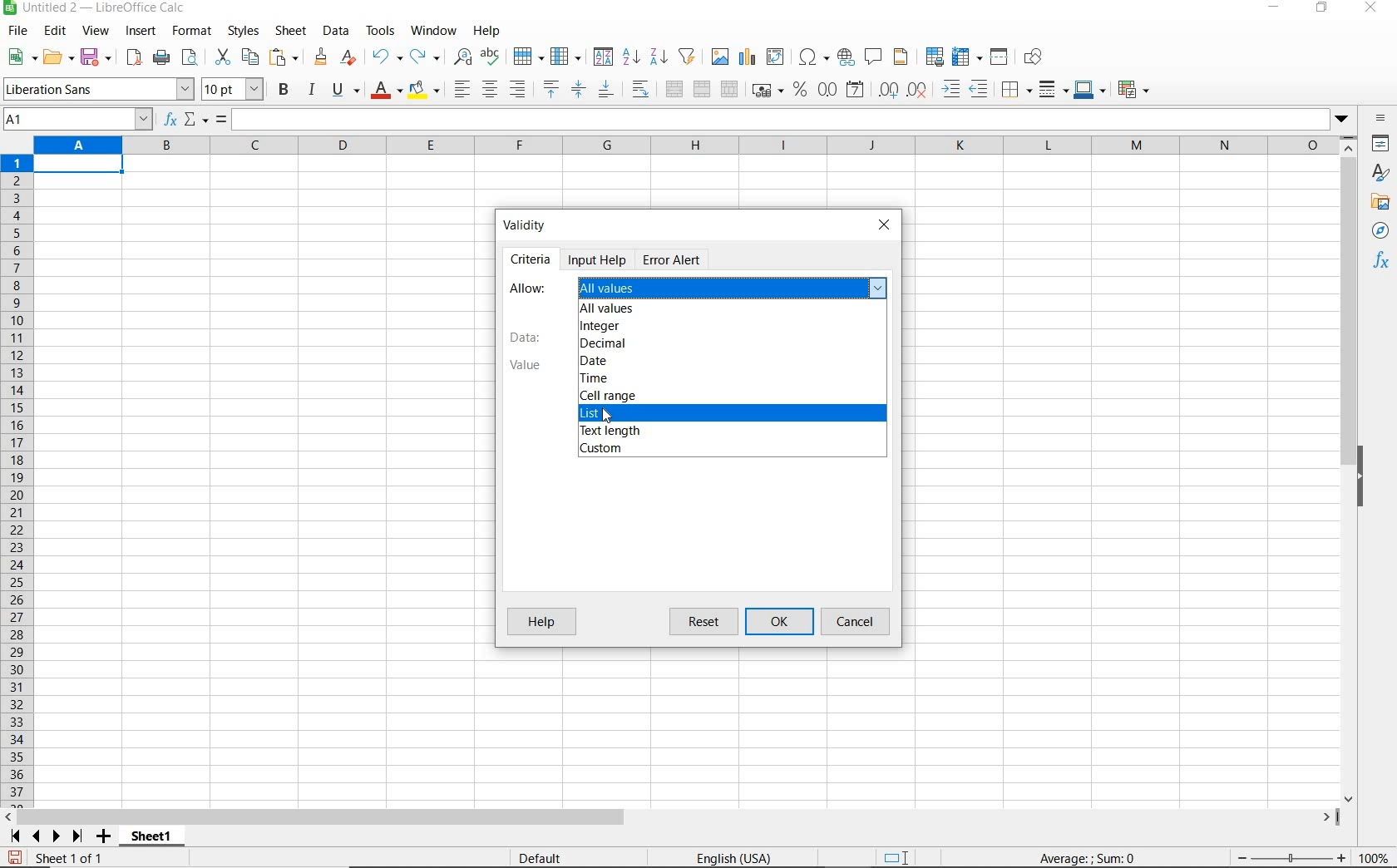 The image size is (1397, 868). Describe the element at coordinates (423, 91) in the screenshot. I see `background color` at that location.